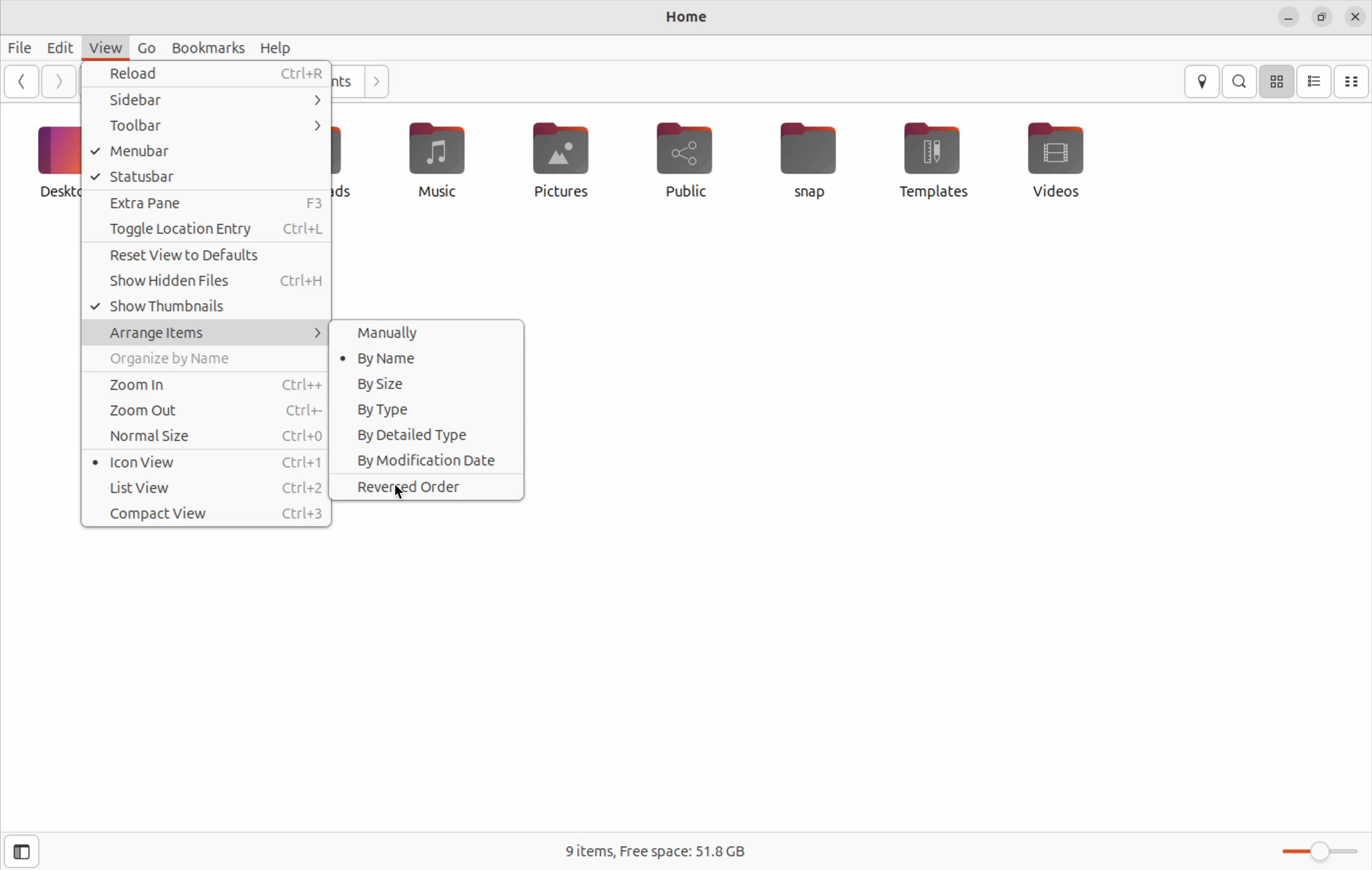 This screenshot has width=1372, height=870. I want to click on compact view, so click(209, 513).